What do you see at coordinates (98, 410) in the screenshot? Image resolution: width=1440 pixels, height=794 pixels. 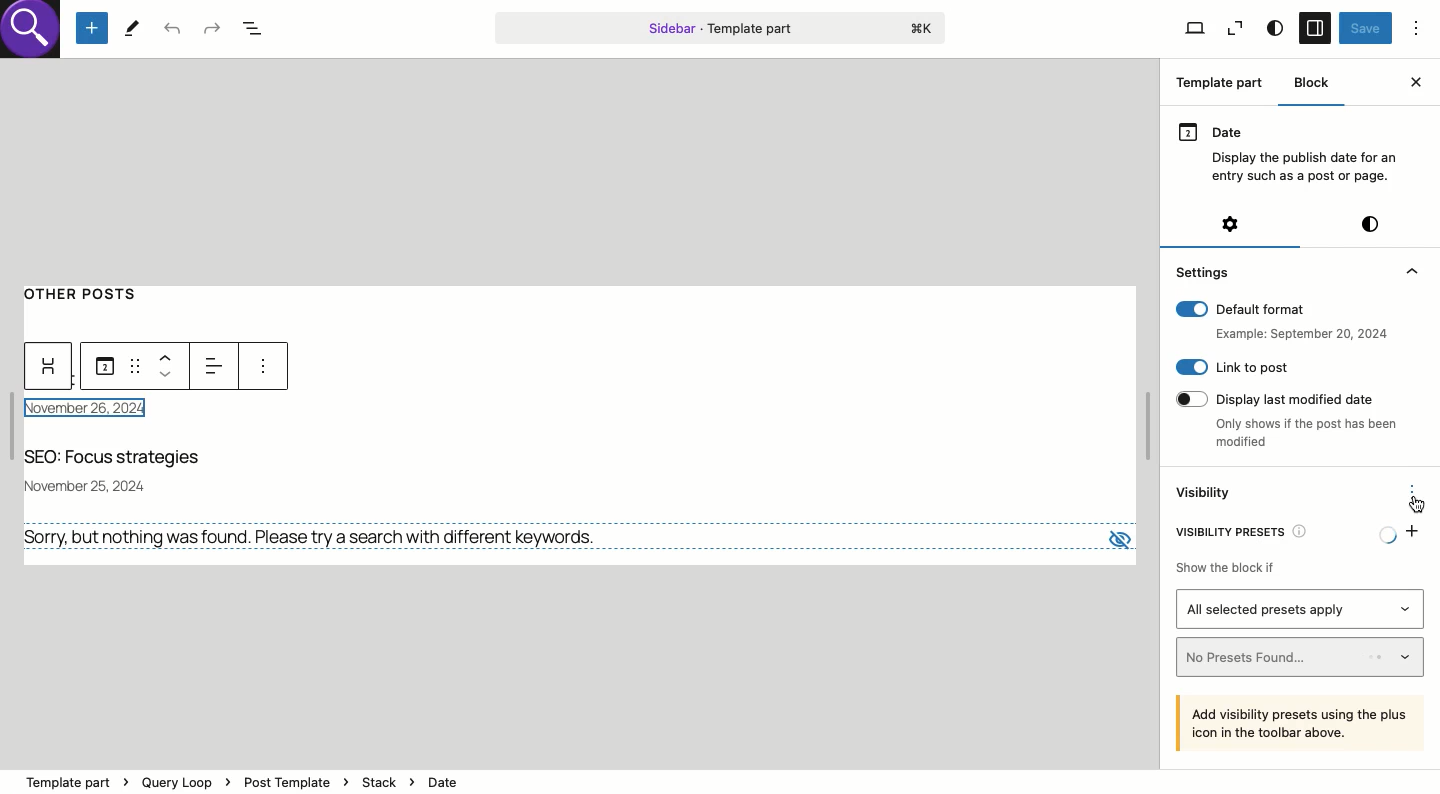 I see `Date` at bounding box center [98, 410].